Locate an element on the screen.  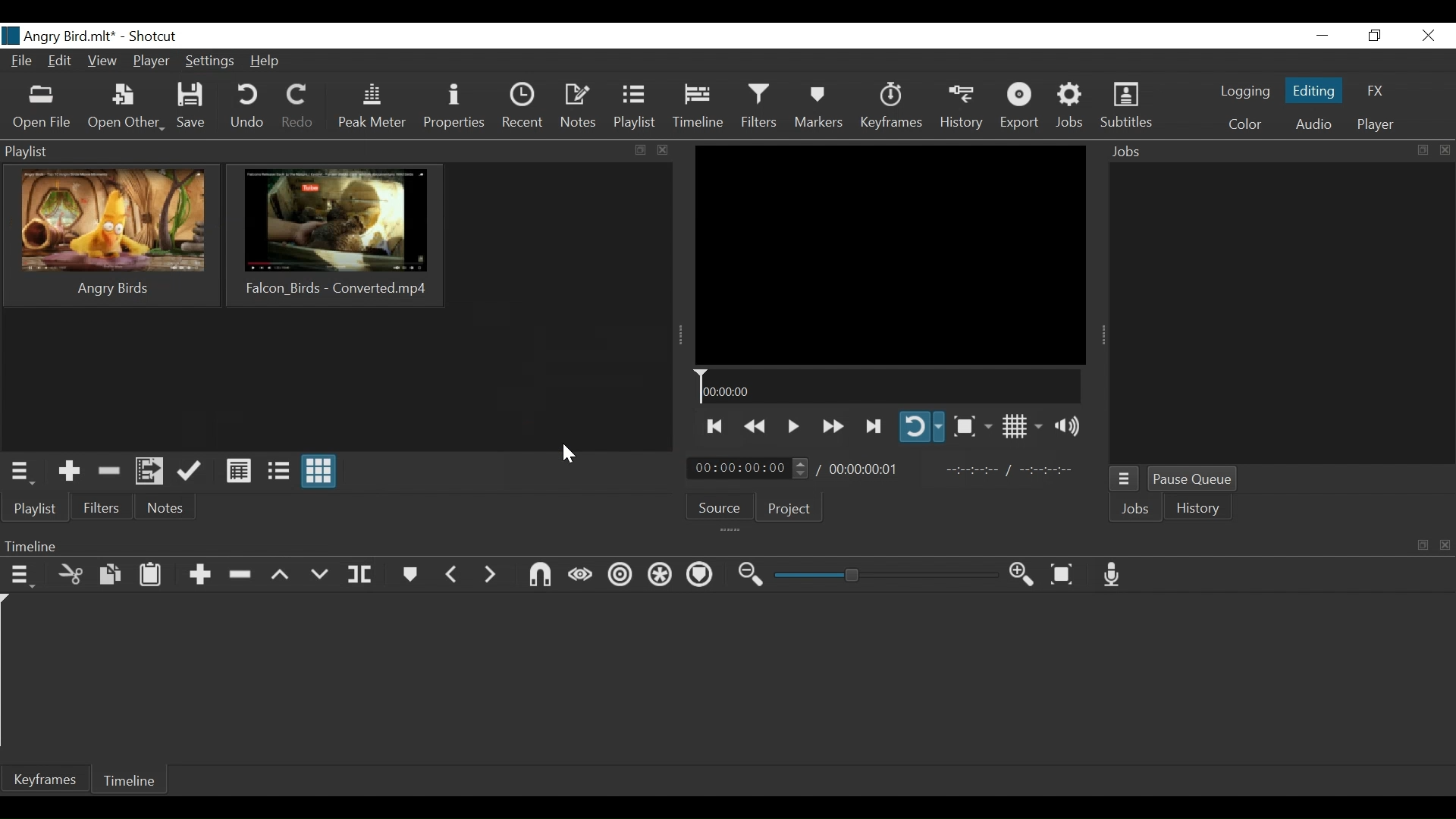
Peak Meter is located at coordinates (369, 108).